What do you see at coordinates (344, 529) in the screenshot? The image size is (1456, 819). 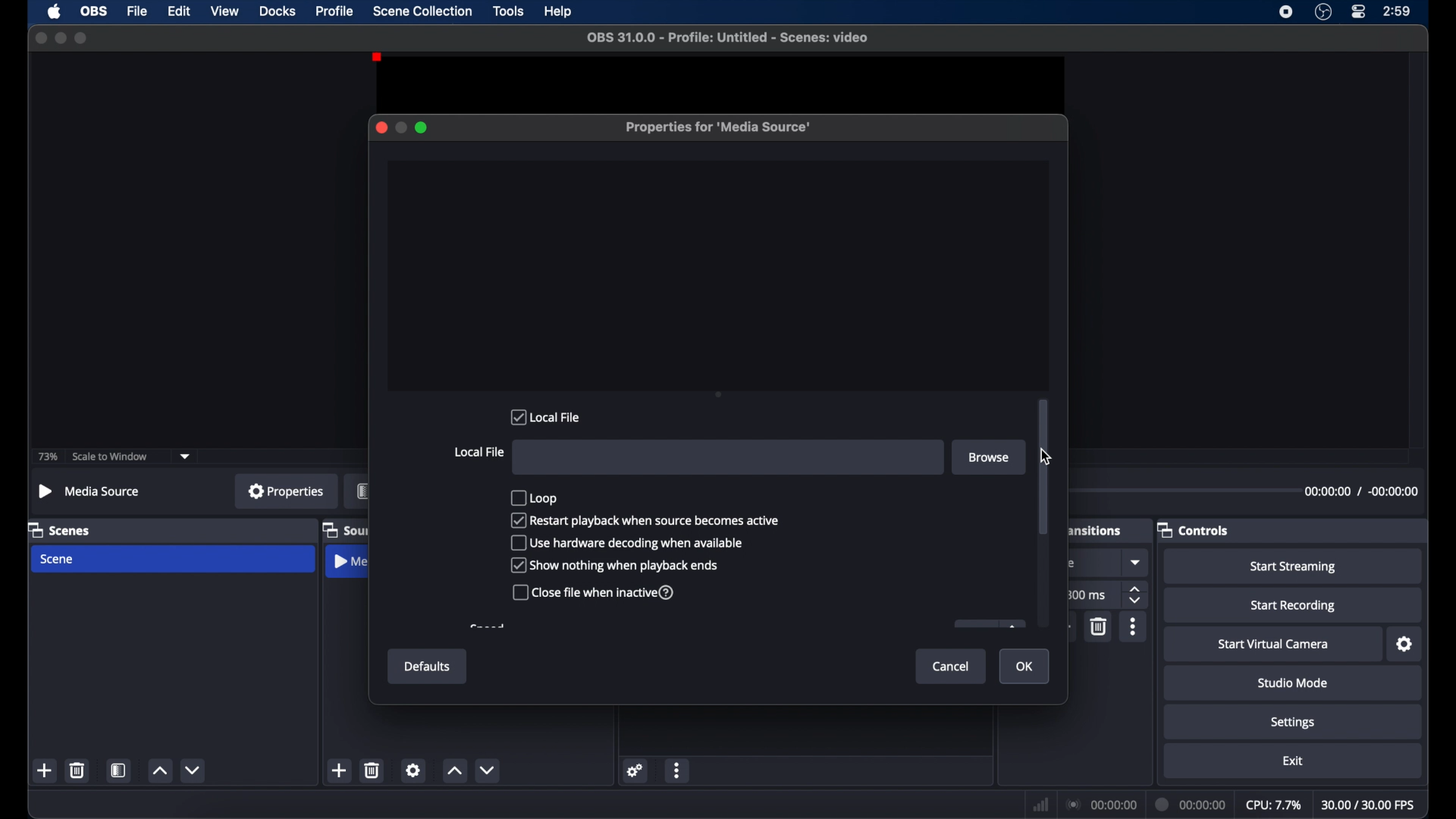 I see `obscure label` at bounding box center [344, 529].